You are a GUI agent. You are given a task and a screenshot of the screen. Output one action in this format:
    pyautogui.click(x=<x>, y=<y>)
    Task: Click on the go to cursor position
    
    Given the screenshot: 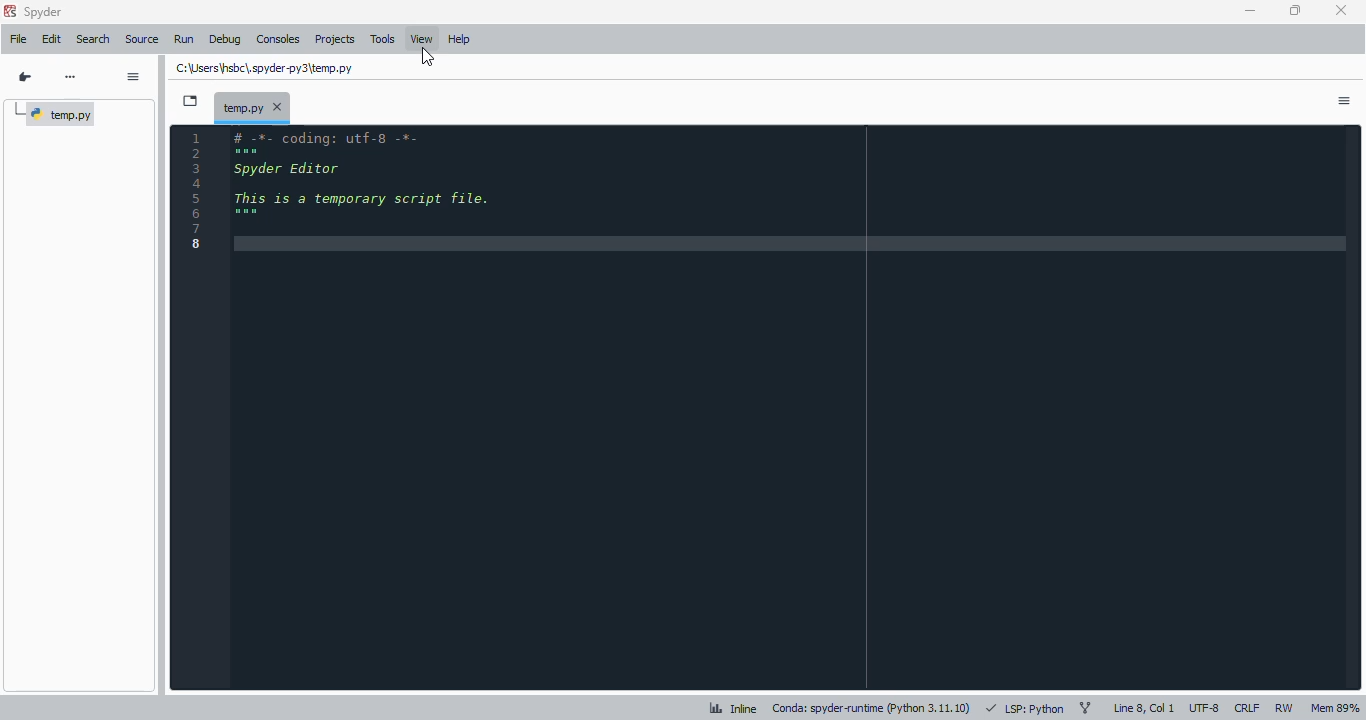 What is the action you would take?
    pyautogui.click(x=24, y=77)
    